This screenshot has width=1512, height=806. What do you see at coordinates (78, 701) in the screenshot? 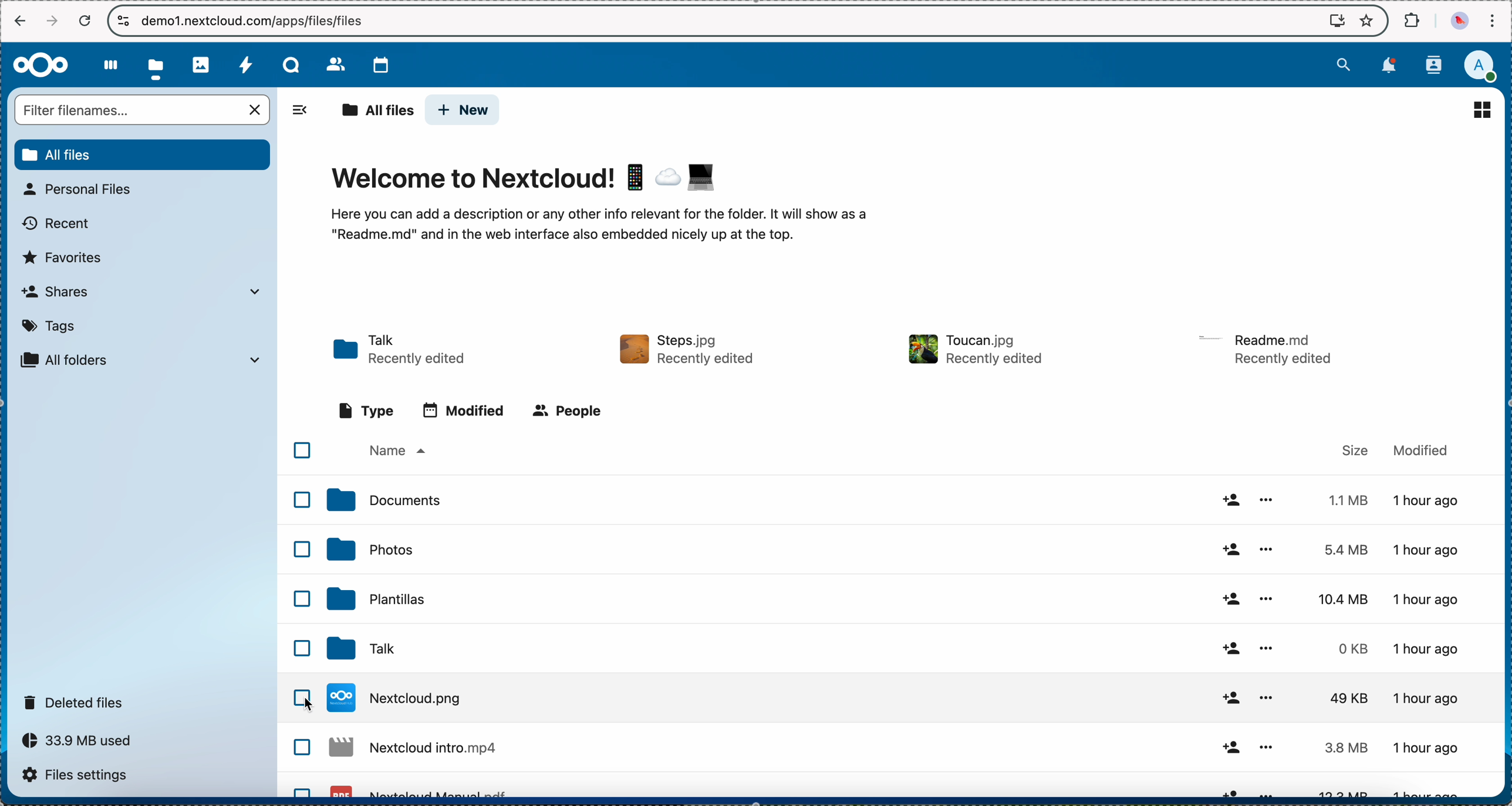
I see `deleted files` at bounding box center [78, 701].